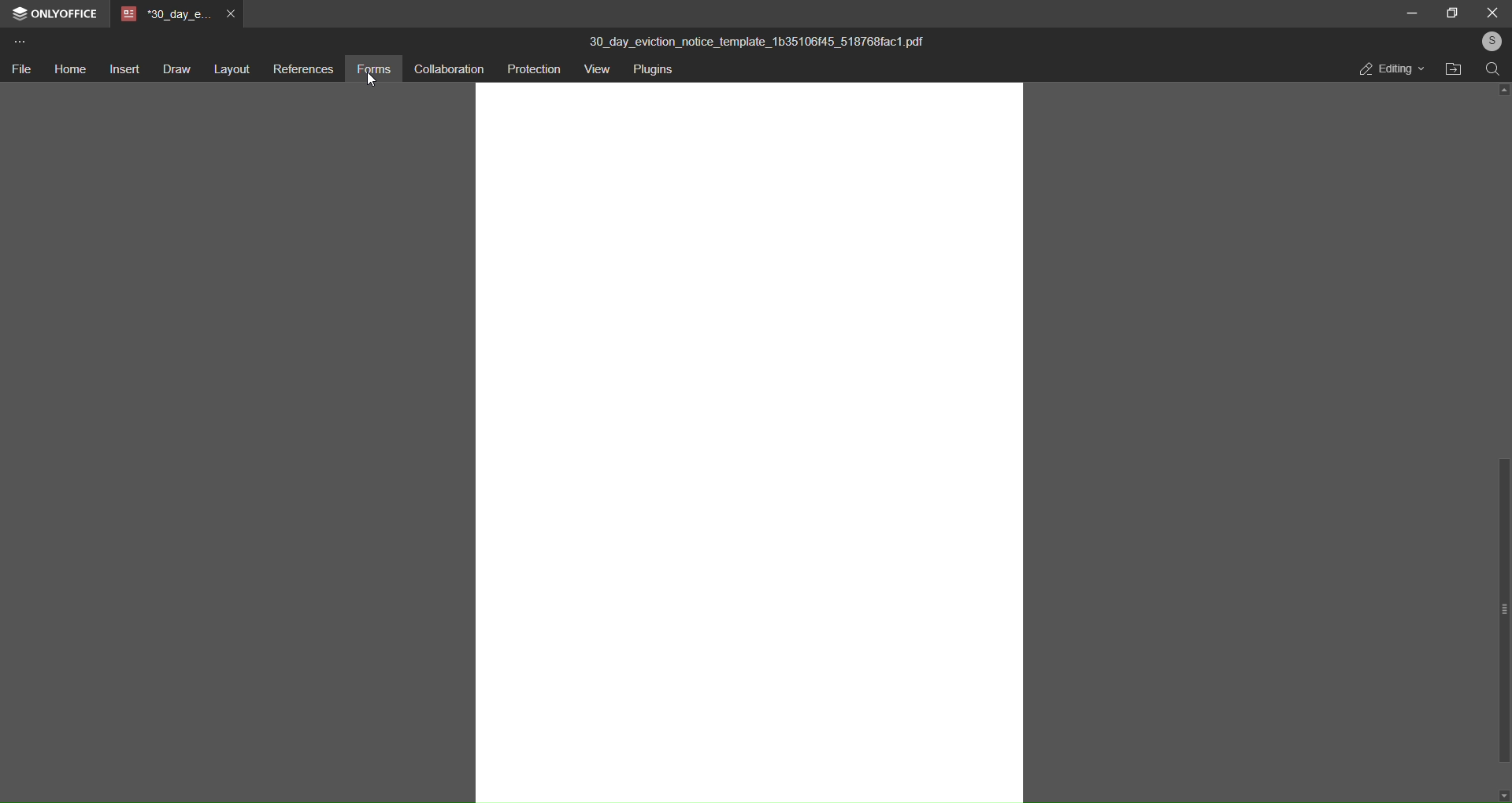 Image resolution: width=1512 pixels, height=803 pixels. What do you see at coordinates (1452, 13) in the screenshot?
I see `maximize` at bounding box center [1452, 13].